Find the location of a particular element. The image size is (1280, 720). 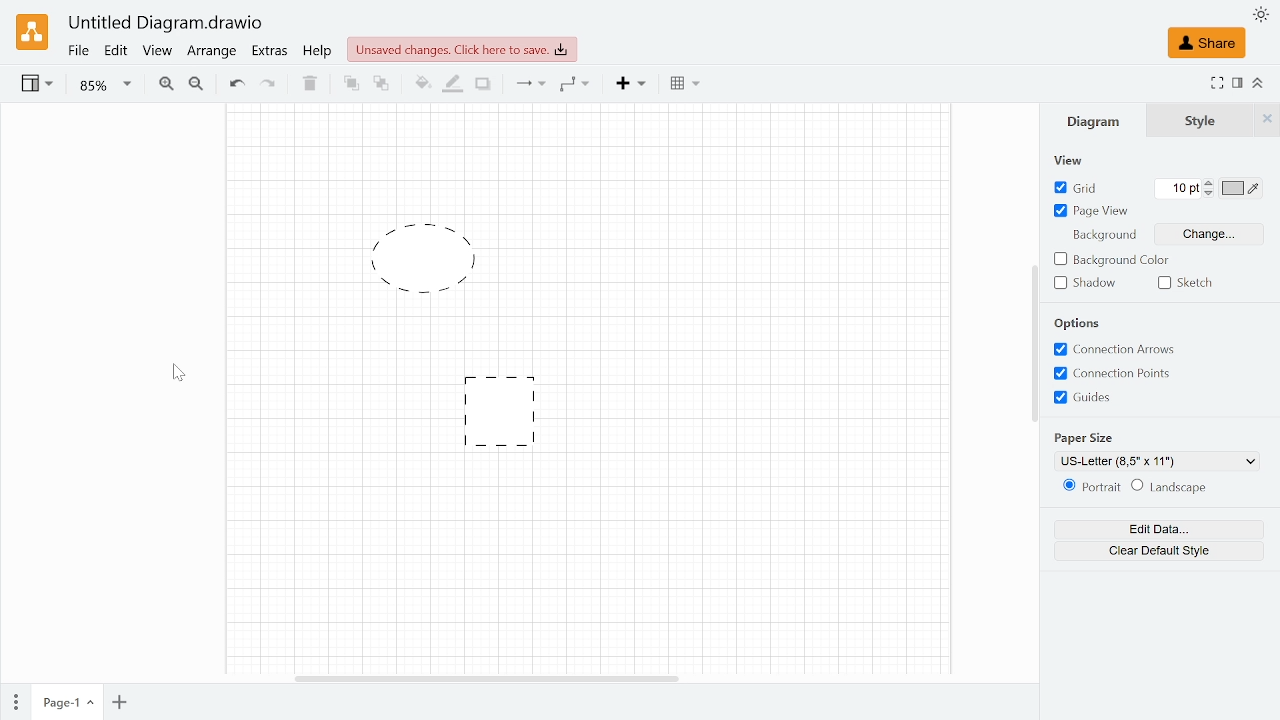

Insert is located at coordinates (632, 84).